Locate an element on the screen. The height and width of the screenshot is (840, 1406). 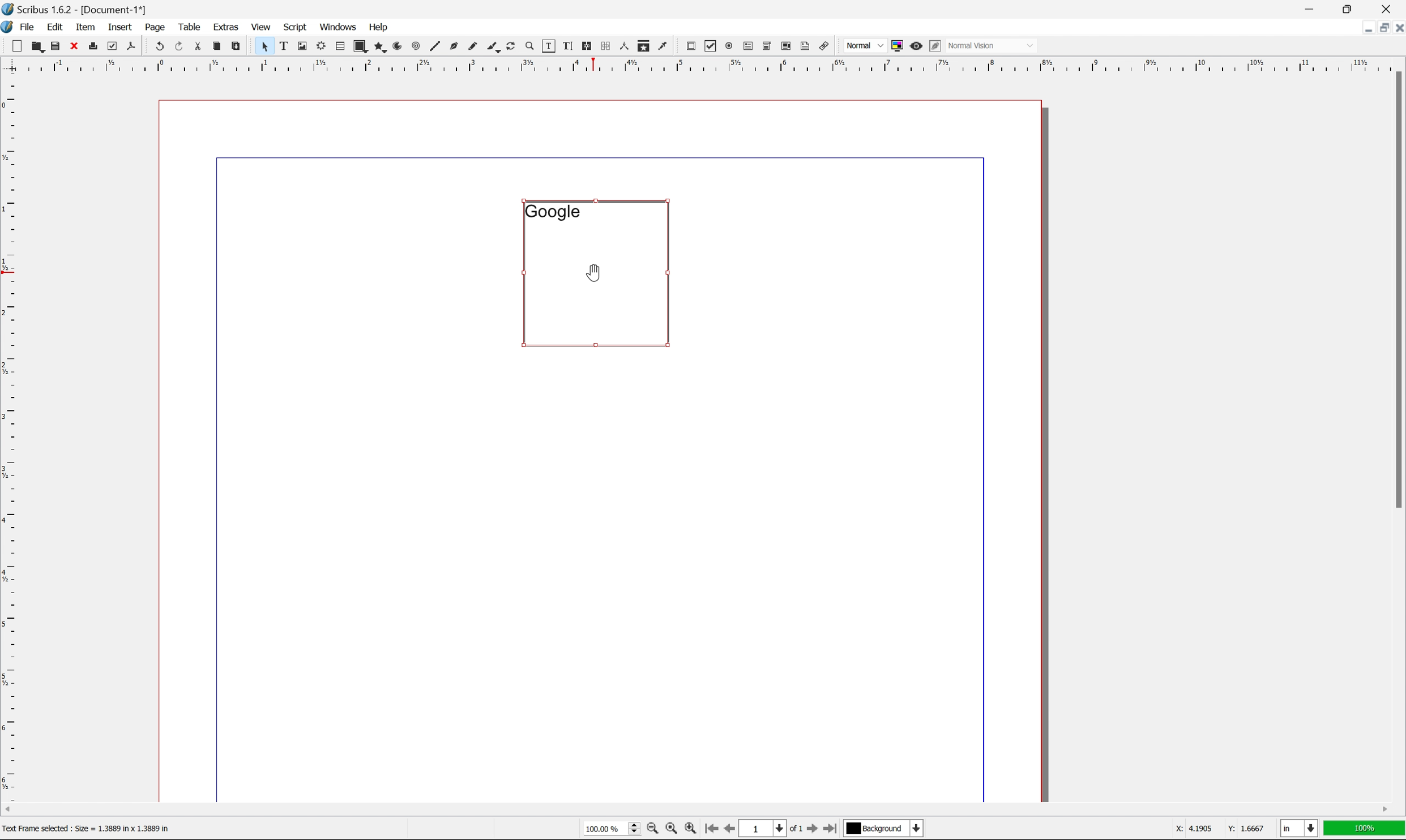
scroll bar is located at coordinates (696, 809).